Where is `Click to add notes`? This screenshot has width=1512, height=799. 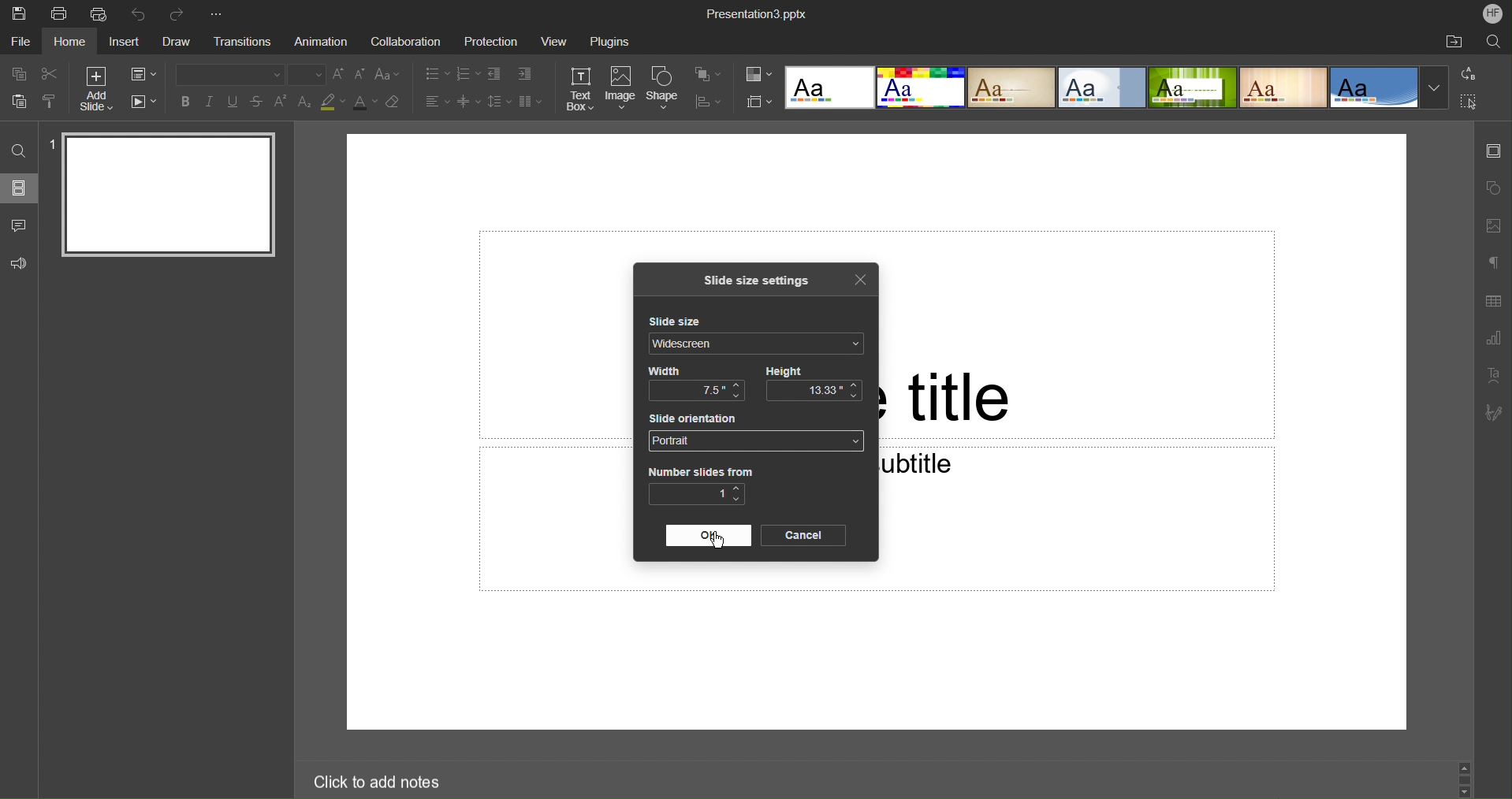
Click to add notes is located at coordinates (370, 779).